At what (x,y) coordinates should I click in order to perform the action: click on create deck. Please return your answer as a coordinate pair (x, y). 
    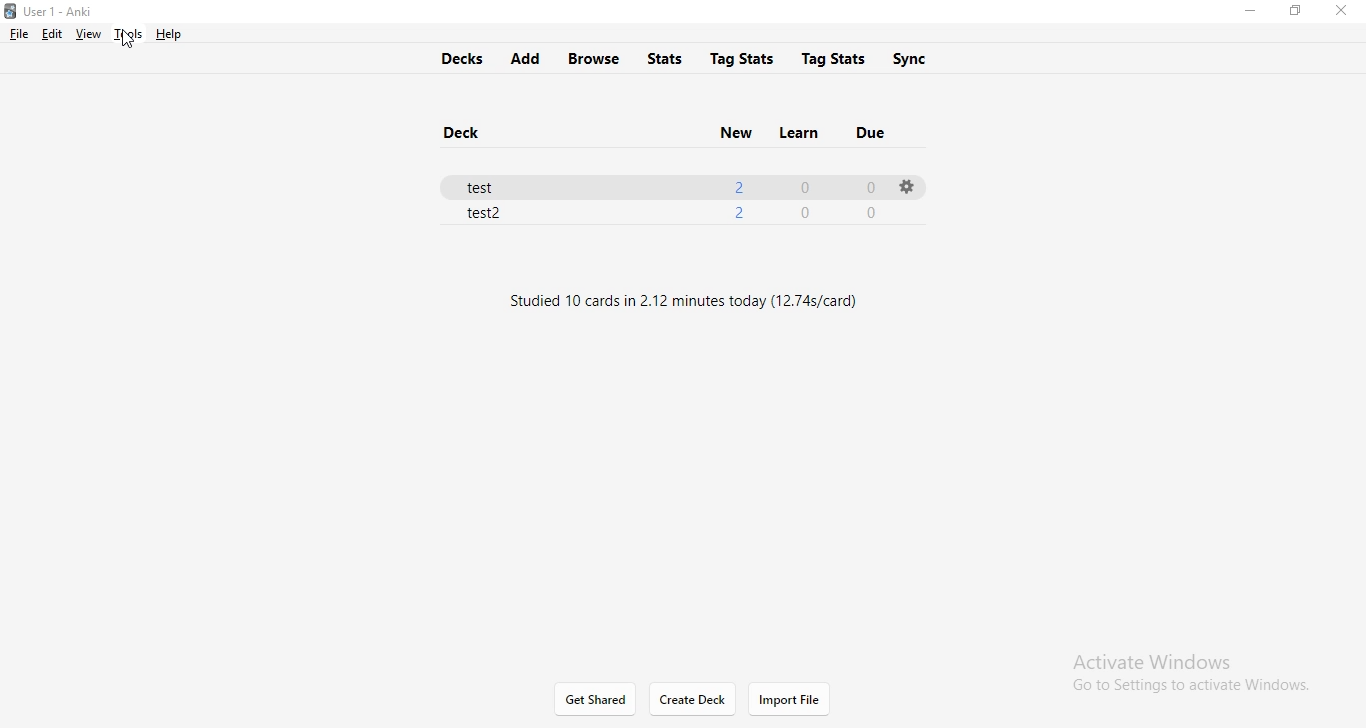
    Looking at the image, I should click on (694, 699).